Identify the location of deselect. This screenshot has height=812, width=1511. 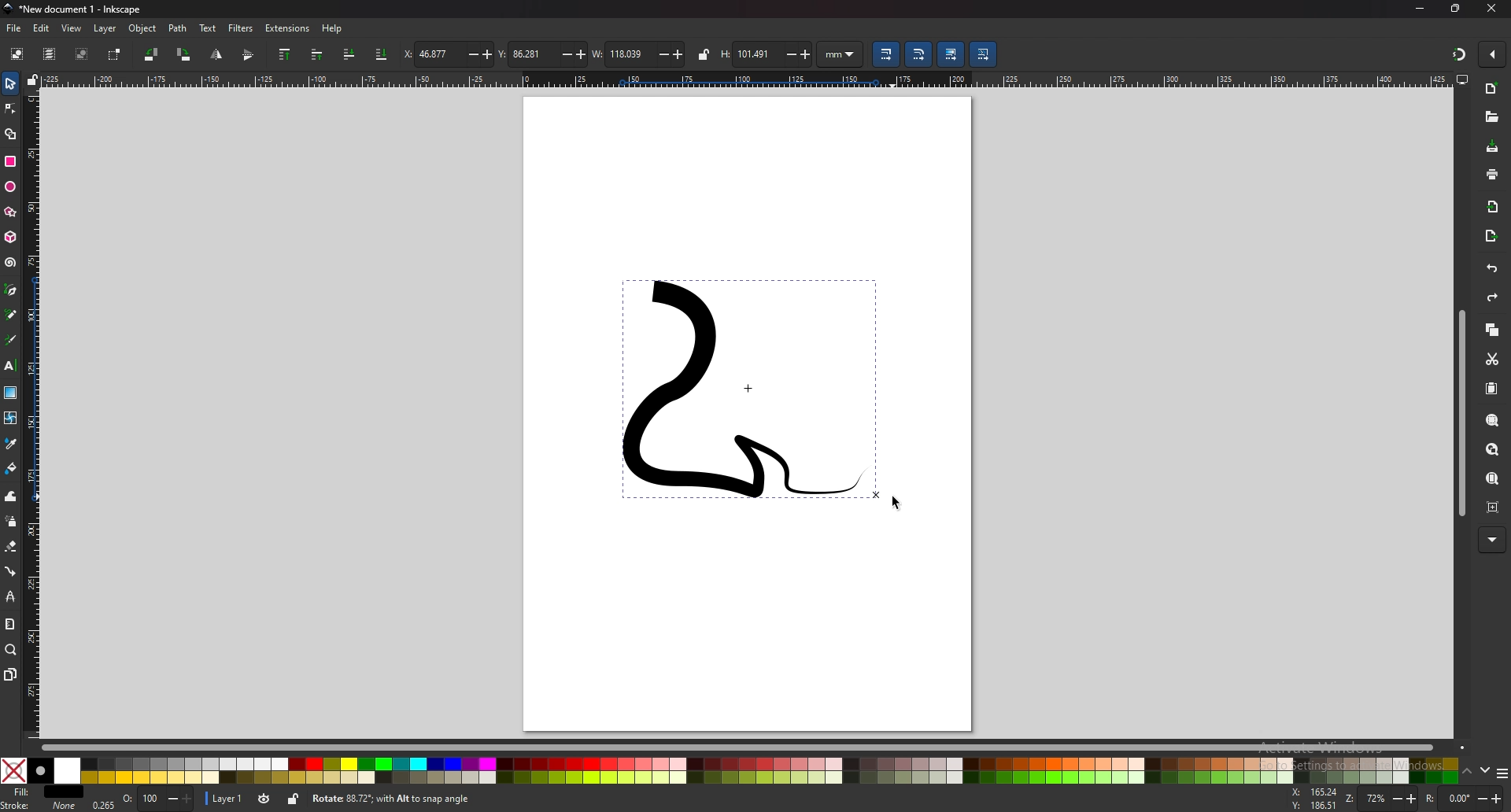
(83, 54).